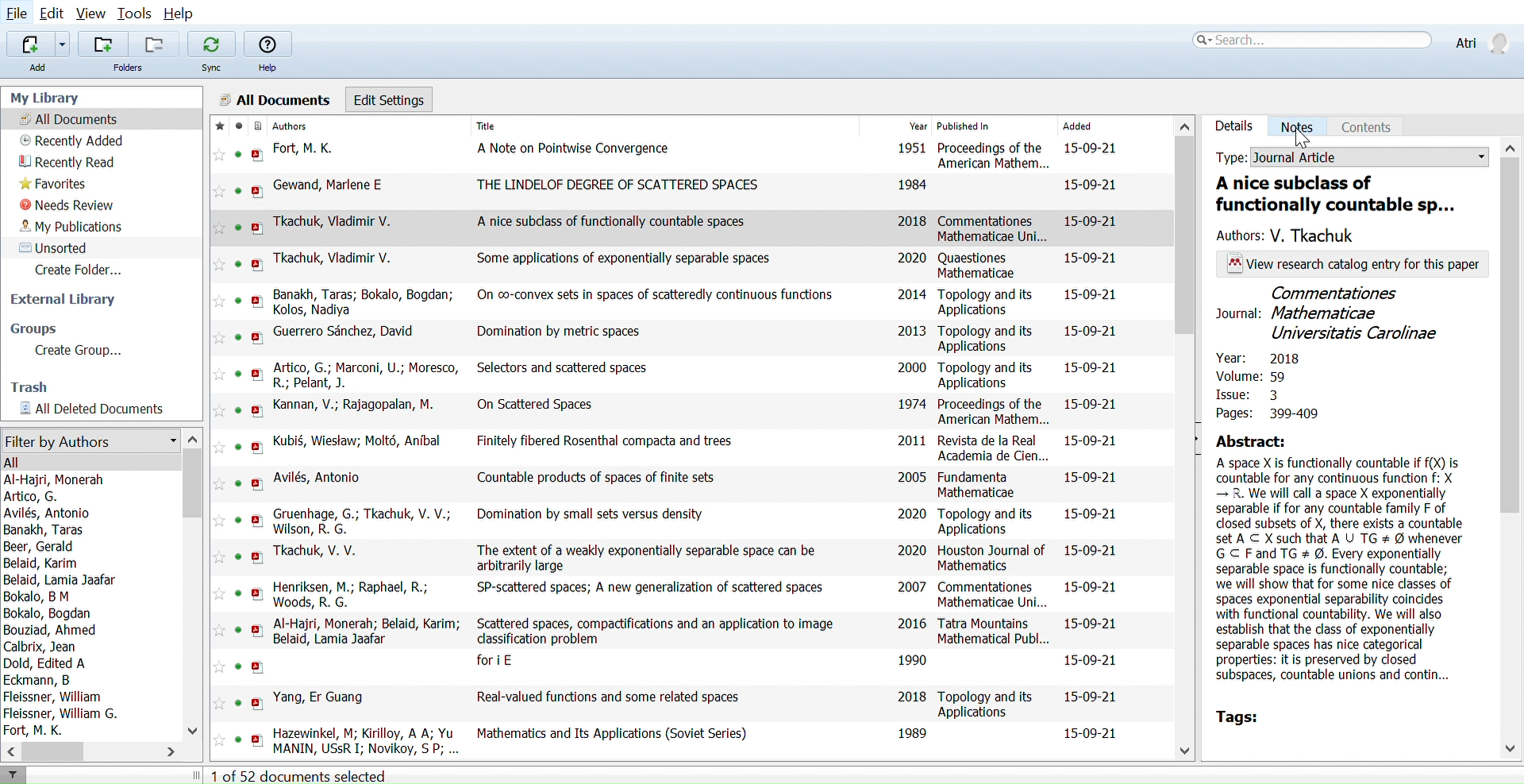 This screenshot has width=1524, height=784. Describe the element at coordinates (192, 437) in the screenshot. I see `Move up in filter by authors` at that location.